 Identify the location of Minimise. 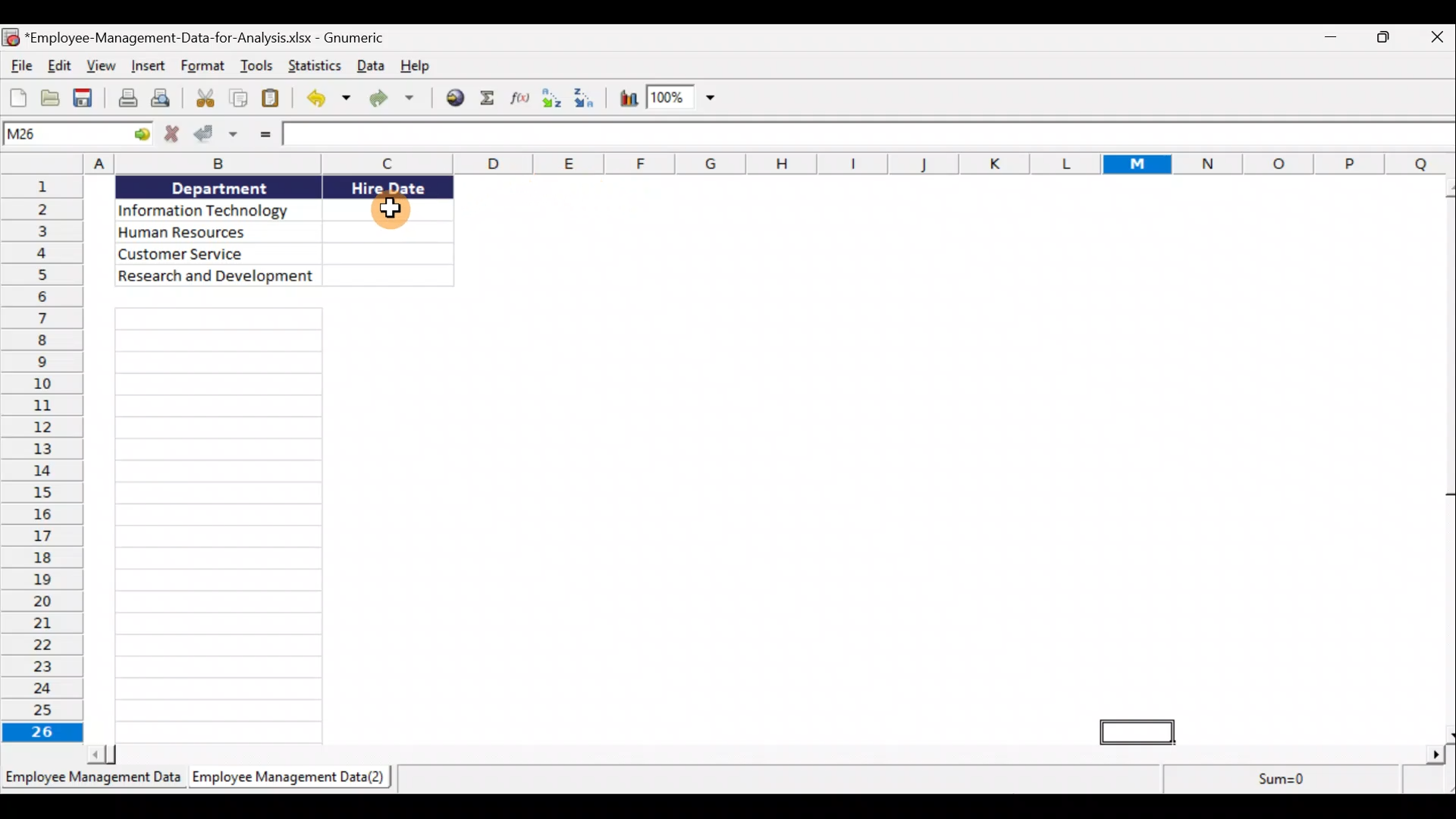
(1332, 36).